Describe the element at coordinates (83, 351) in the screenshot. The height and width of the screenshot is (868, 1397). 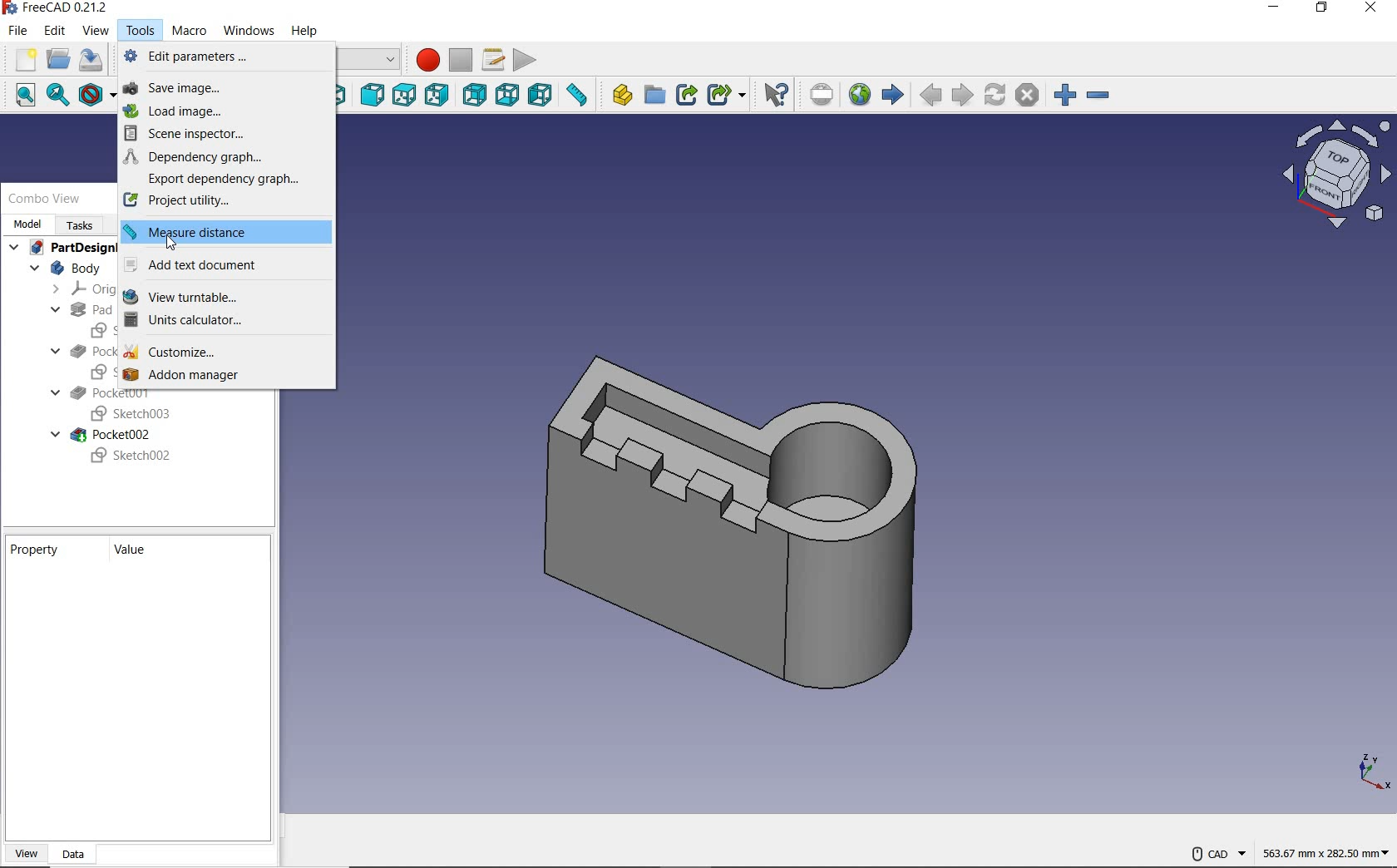
I see `POCKET` at that location.